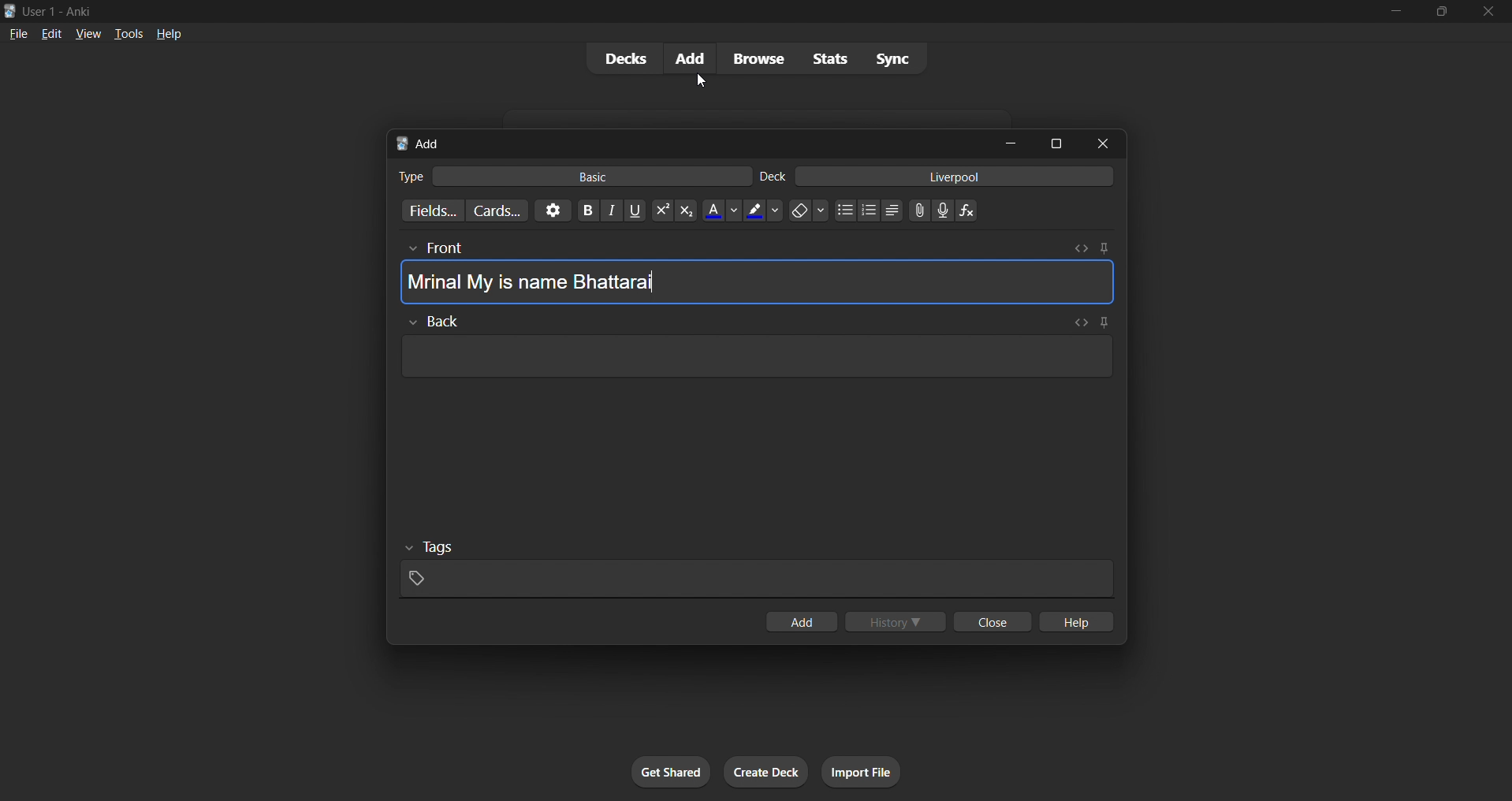 The image size is (1512, 801). I want to click on basic card type input field, so click(572, 174).